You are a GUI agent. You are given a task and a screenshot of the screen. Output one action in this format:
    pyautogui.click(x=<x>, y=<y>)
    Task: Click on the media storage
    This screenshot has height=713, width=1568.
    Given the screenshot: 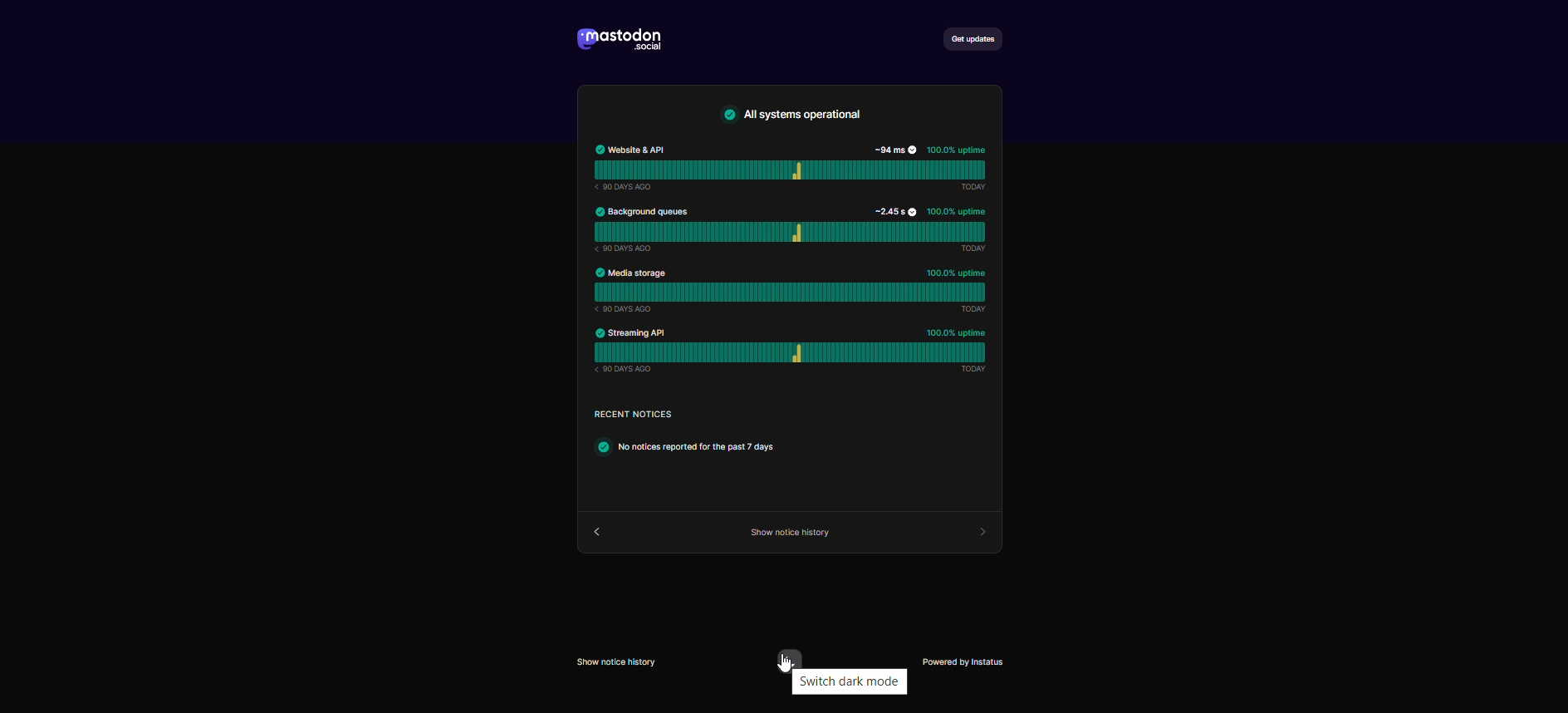 What is the action you would take?
    pyautogui.click(x=789, y=291)
    